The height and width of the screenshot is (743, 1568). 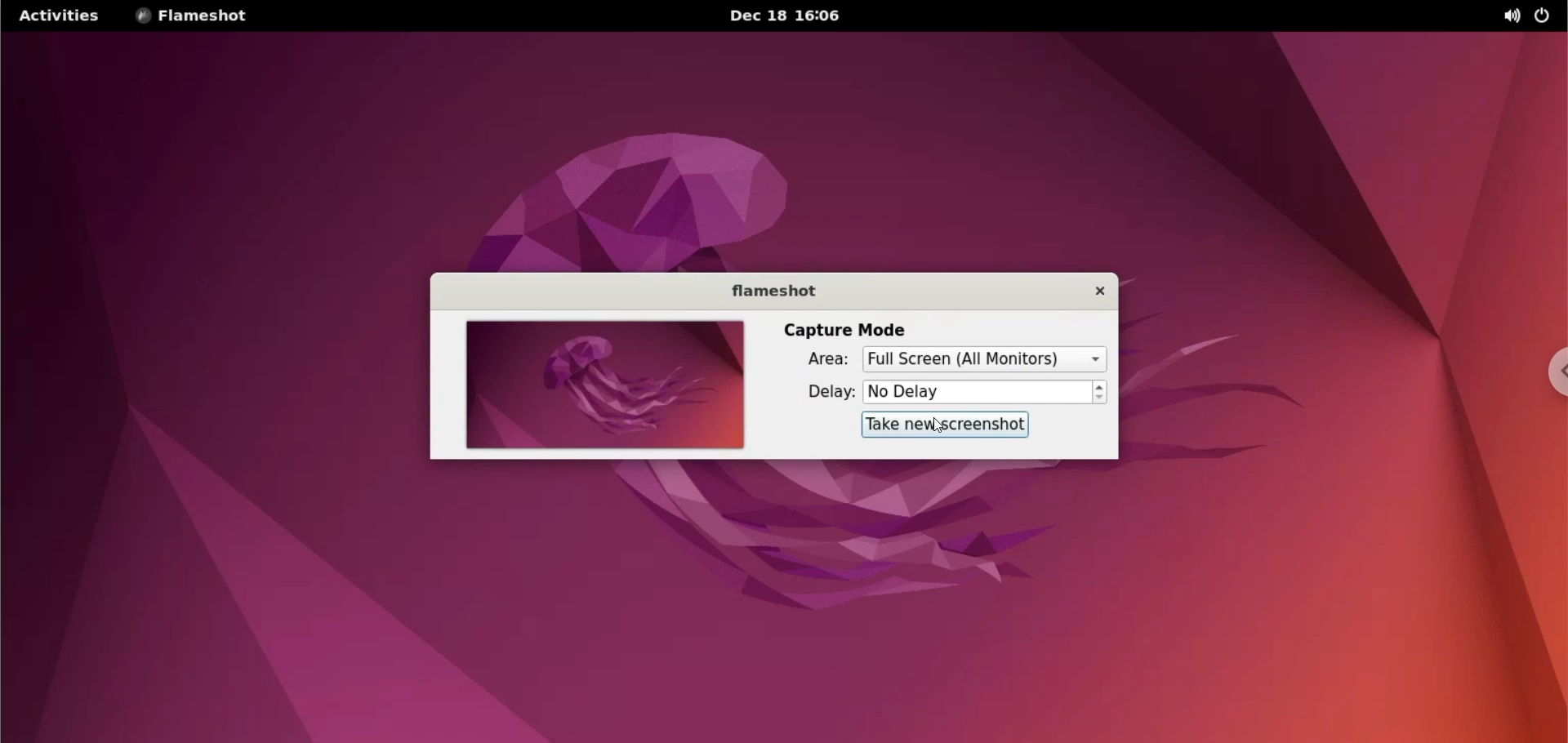 What do you see at coordinates (947, 425) in the screenshot?
I see `take screenshot button ` at bounding box center [947, 425].